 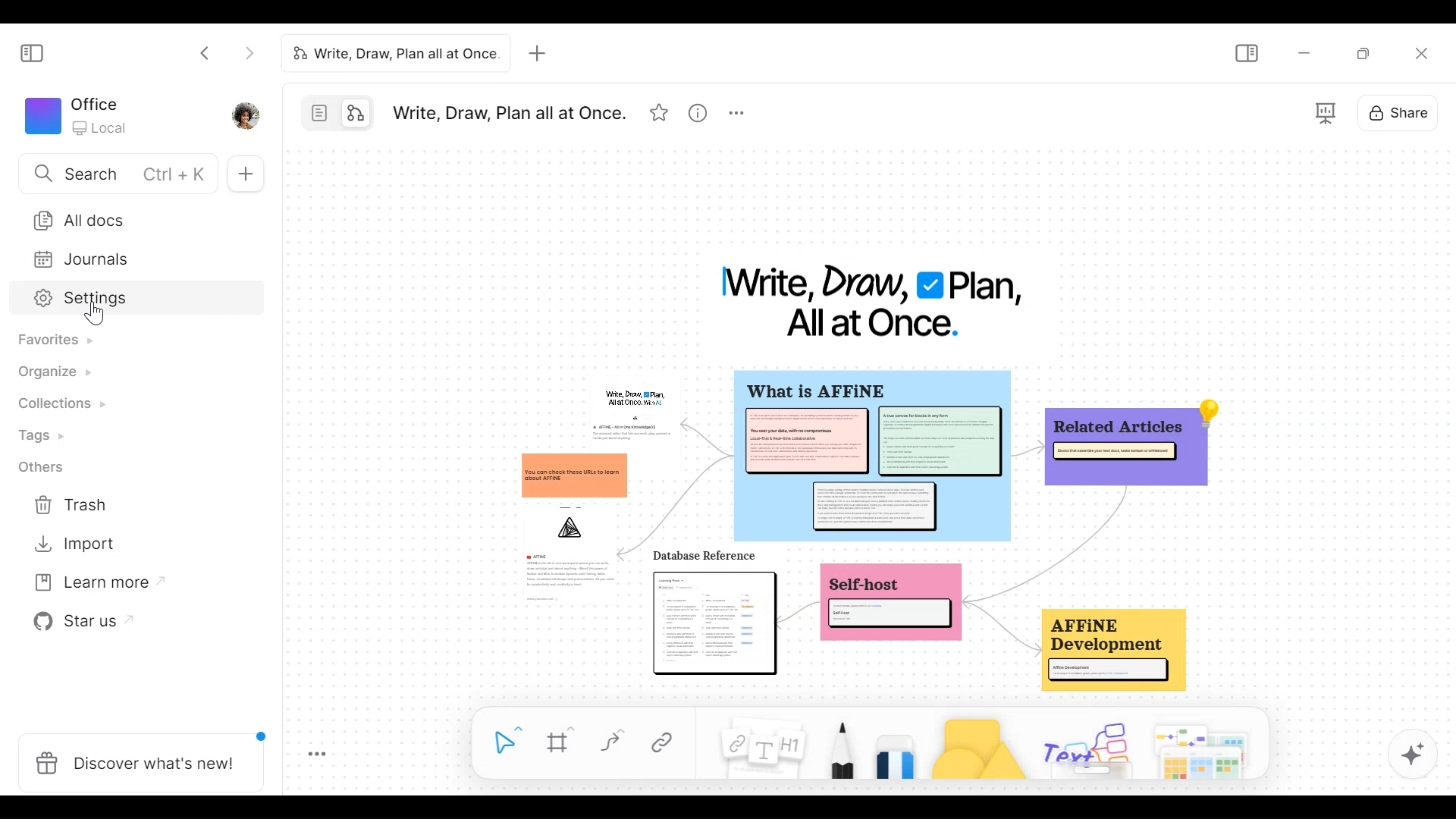 I want to click on Shape, so click(x=981, y=748).